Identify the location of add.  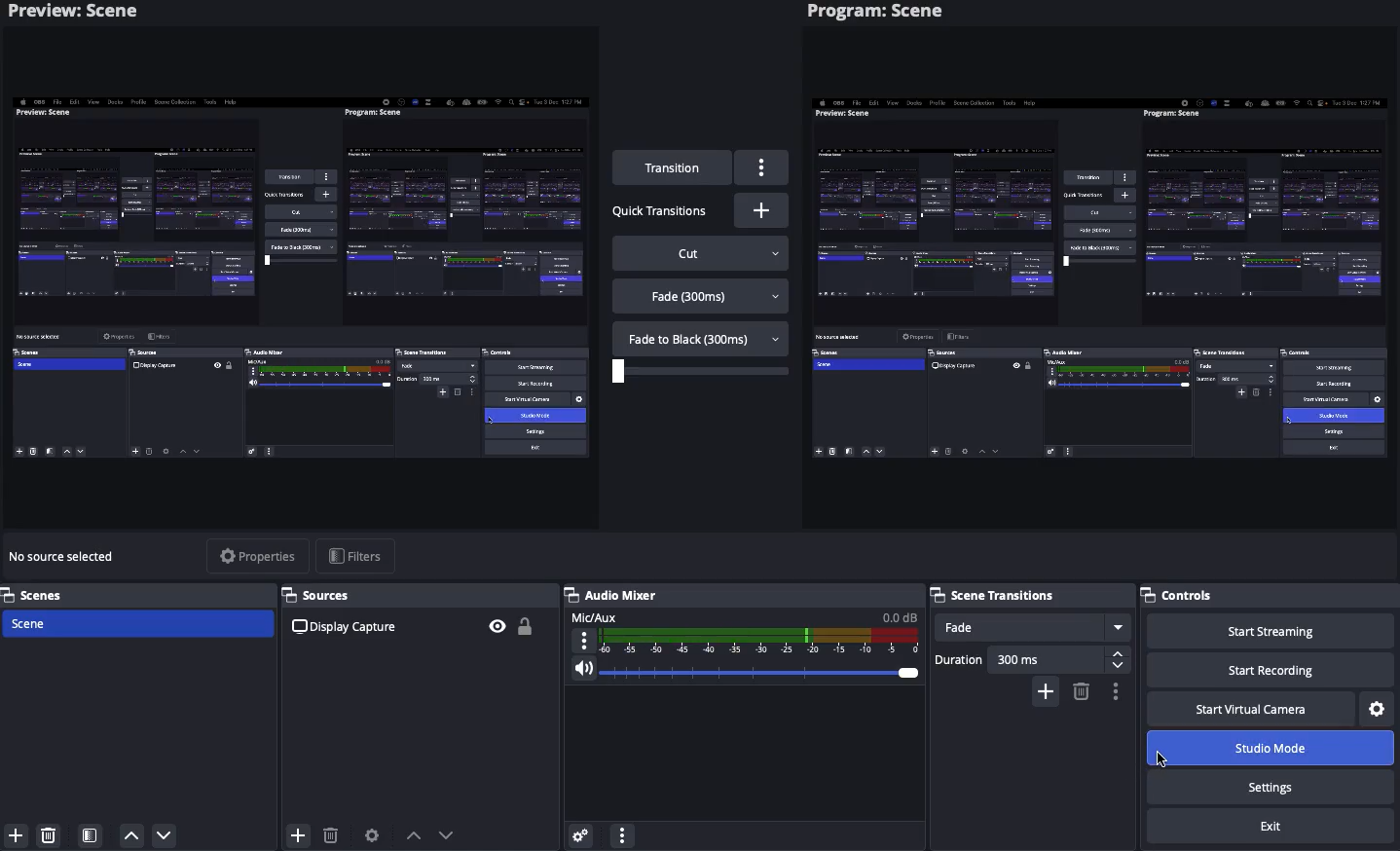
(298, 837).